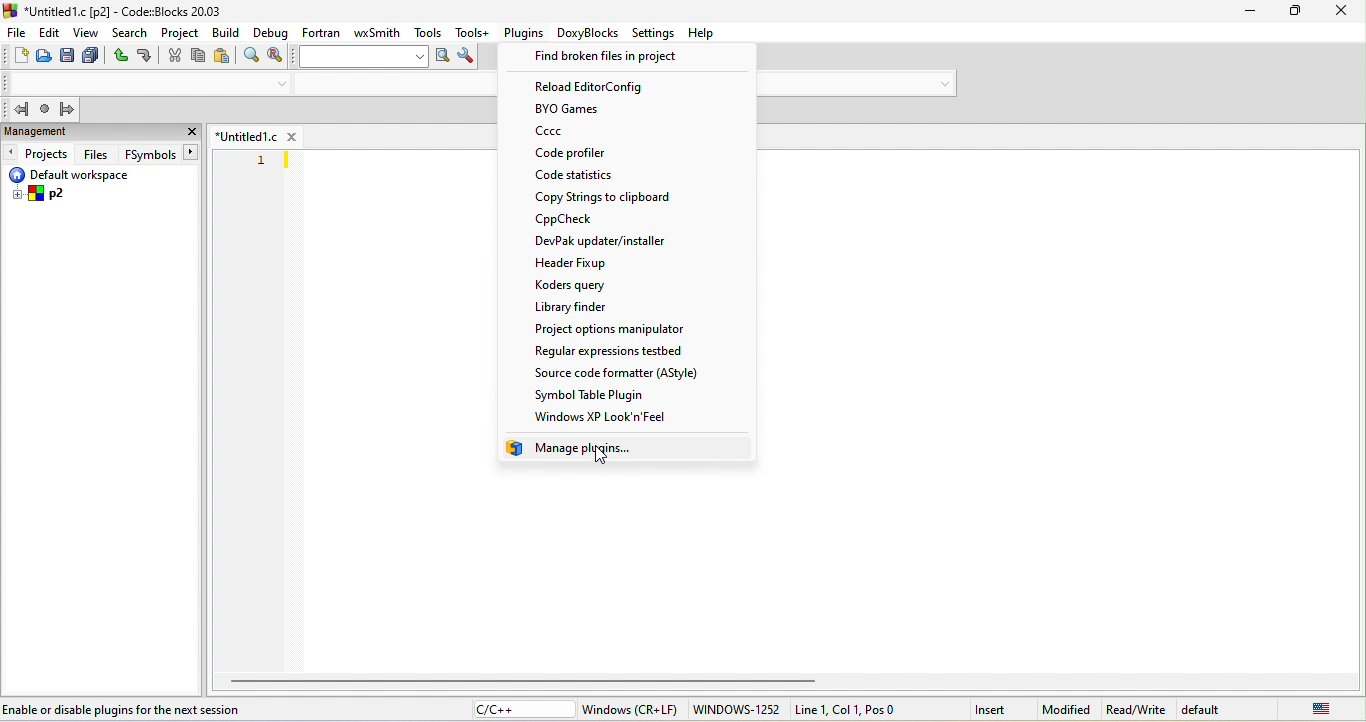 Image resolution: width=1366 pixels, height=722 pixels. What do you see at coordinates (361, 58) in the screenshot?
I see `search text box` at bounding box center [361, 58].